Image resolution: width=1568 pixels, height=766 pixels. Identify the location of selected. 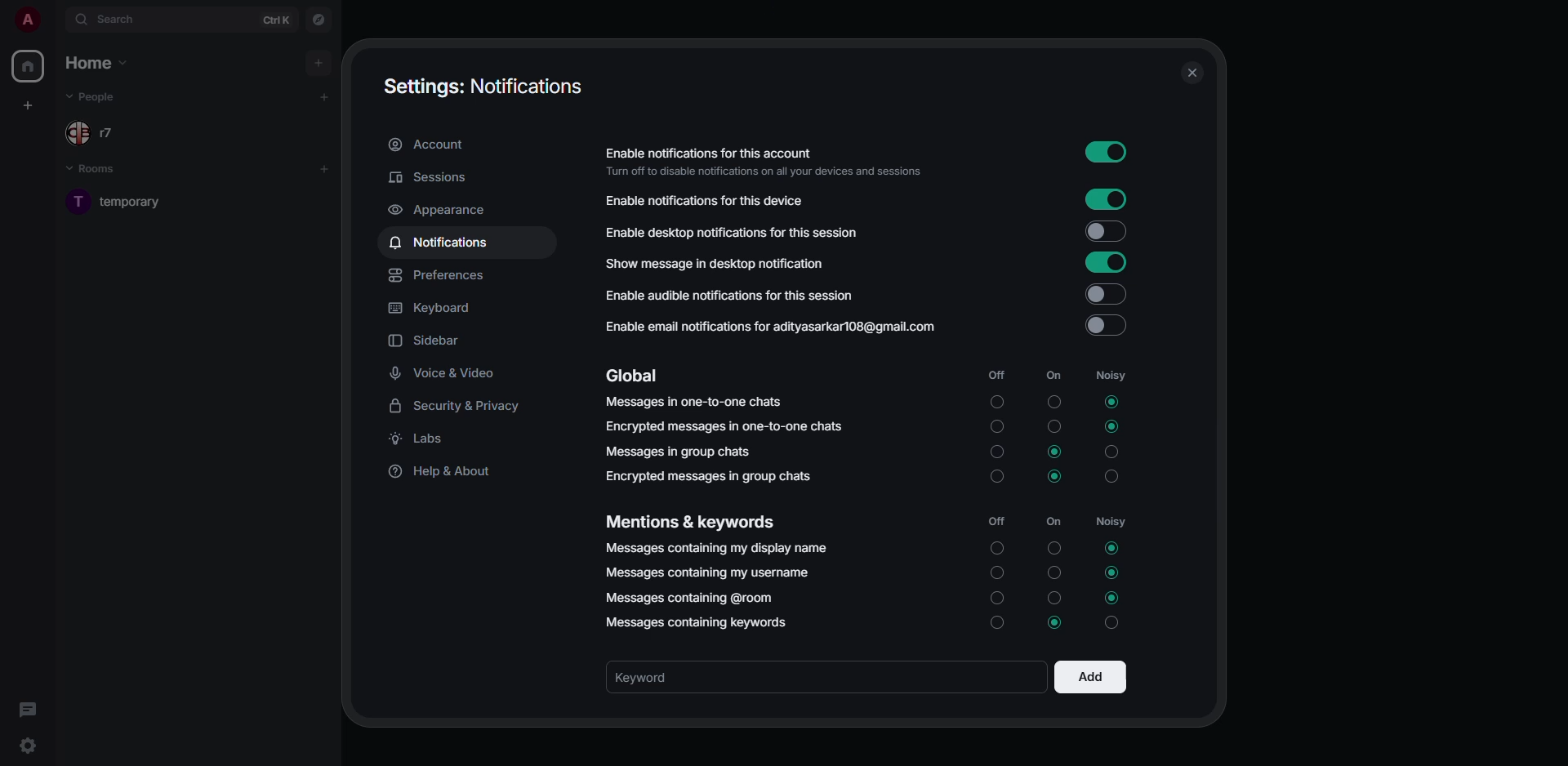
(1054, 626).